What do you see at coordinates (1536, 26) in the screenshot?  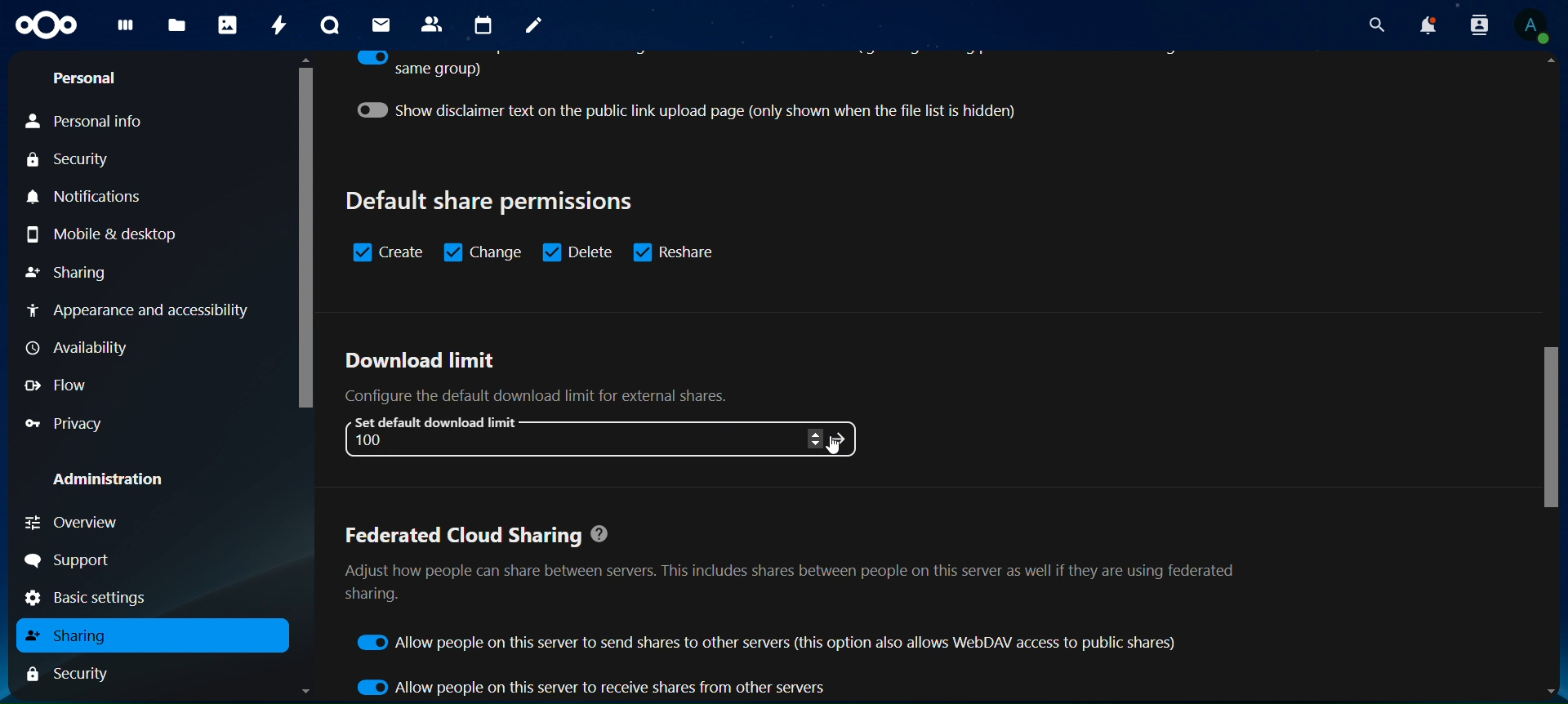 I see `View Profile` at bounding box center [1536, 26].